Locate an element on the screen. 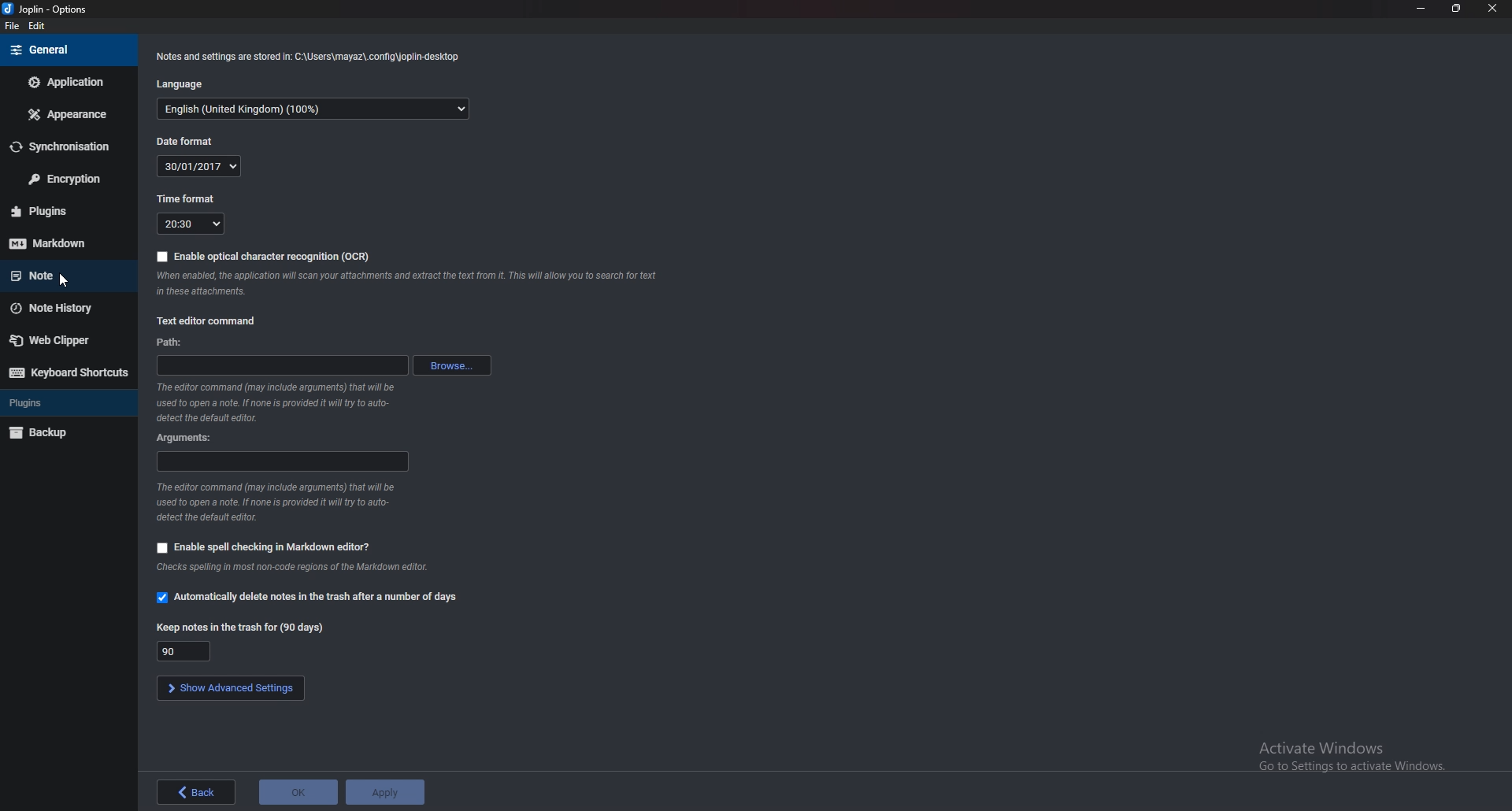 The height and width of the screenshot is (811, 1512). browse is located at coordinates (454, 365).